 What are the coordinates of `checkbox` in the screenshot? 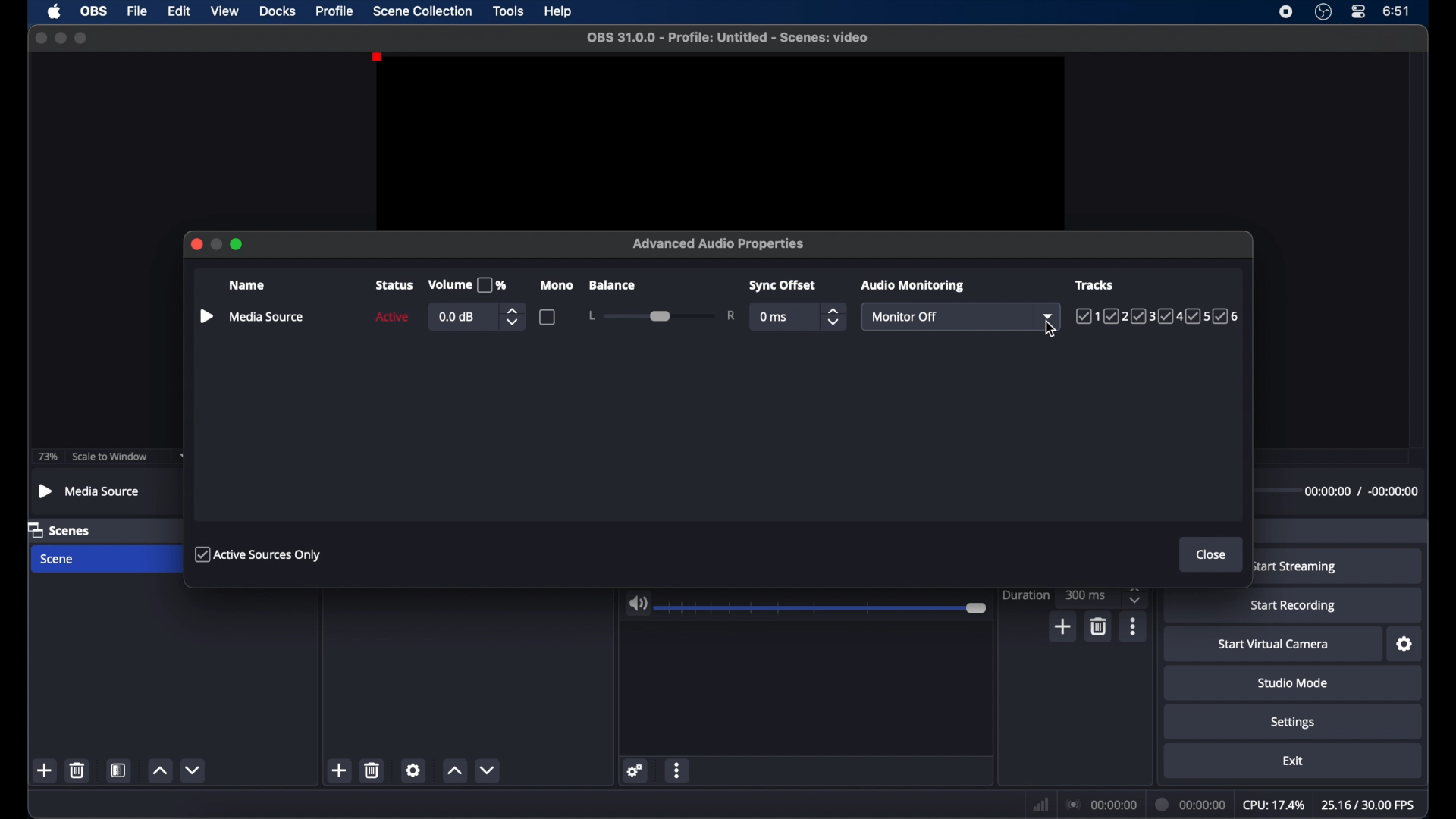 It's located at (548, 317).